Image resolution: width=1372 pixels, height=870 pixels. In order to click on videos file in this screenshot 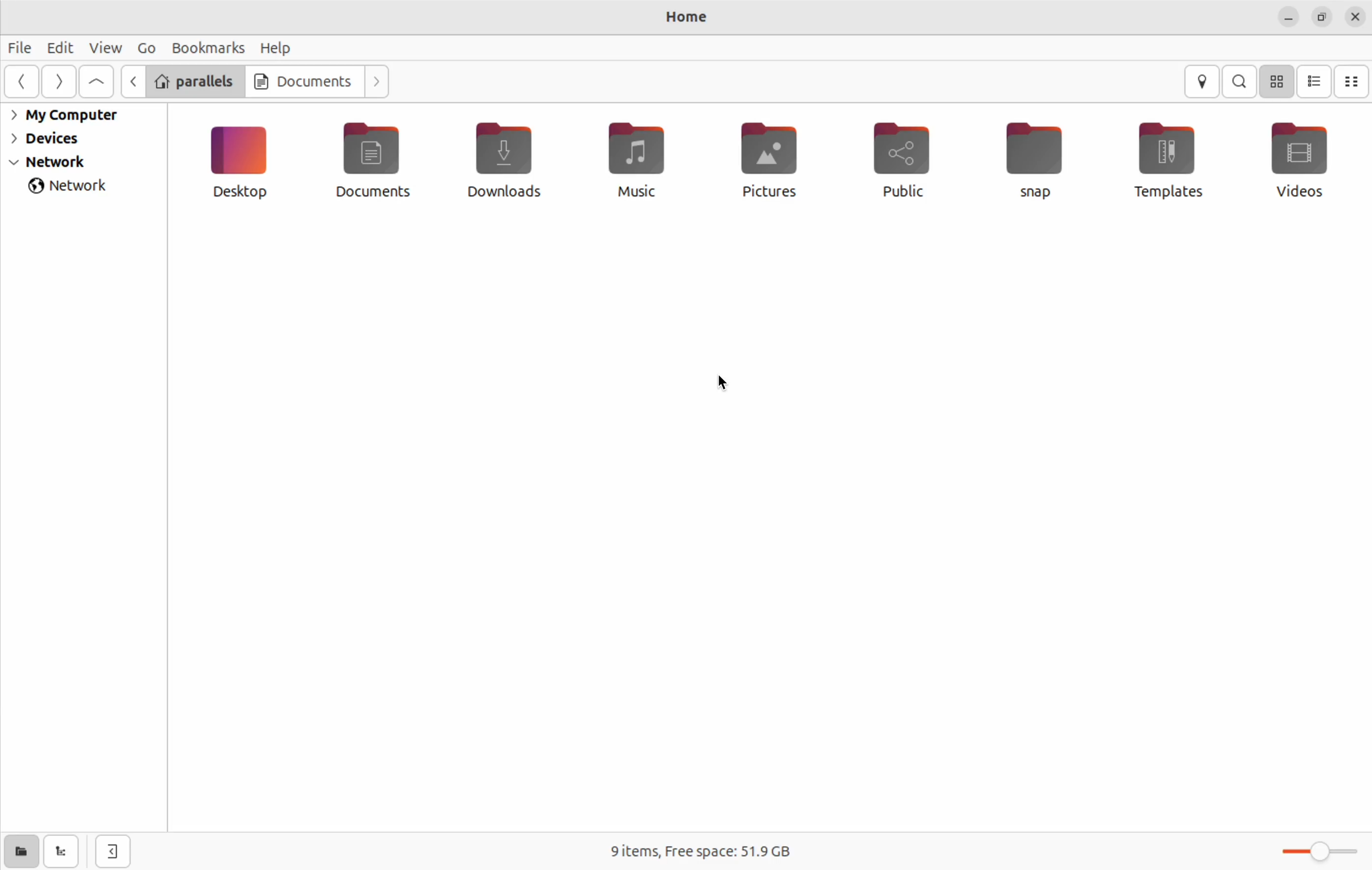, I will do `click(1297, 158)`.